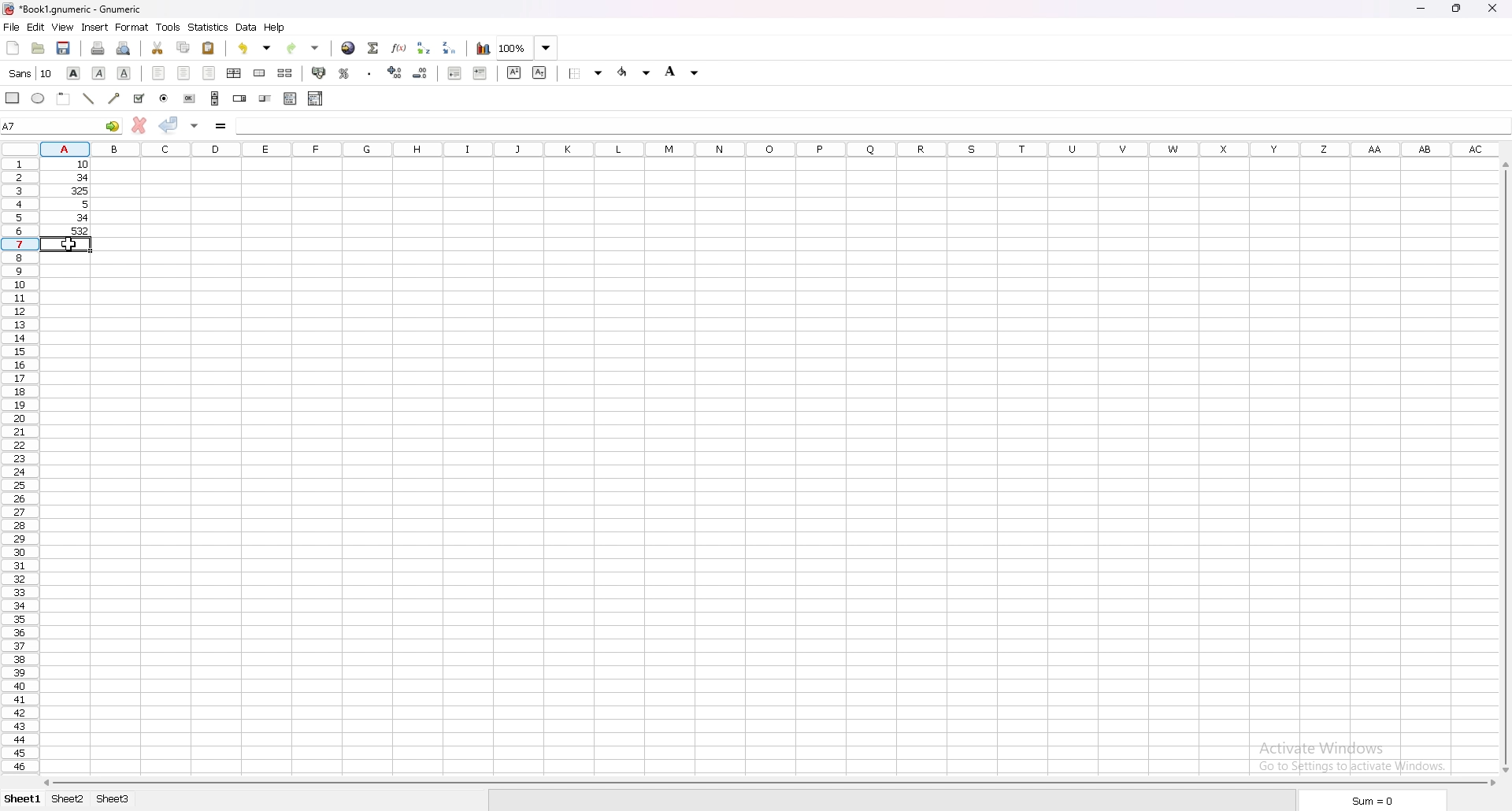 The image size is (1512, 811). What do you see at coordinates (159, 71) in the screenshot?
I see `left align` at bounding box center [159, 71].